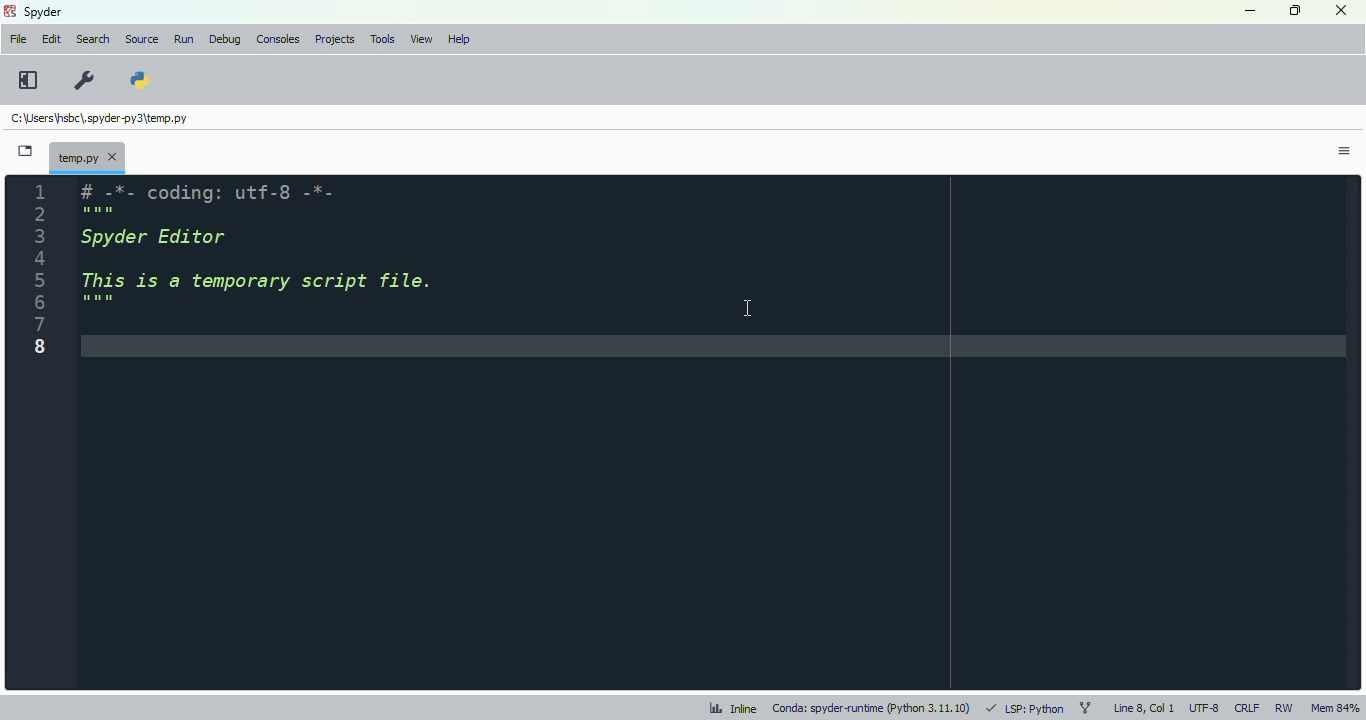  What do you see at coordinates (725, 707) in the screenshot?
I see `Inline` at bounding box center [725, 707].